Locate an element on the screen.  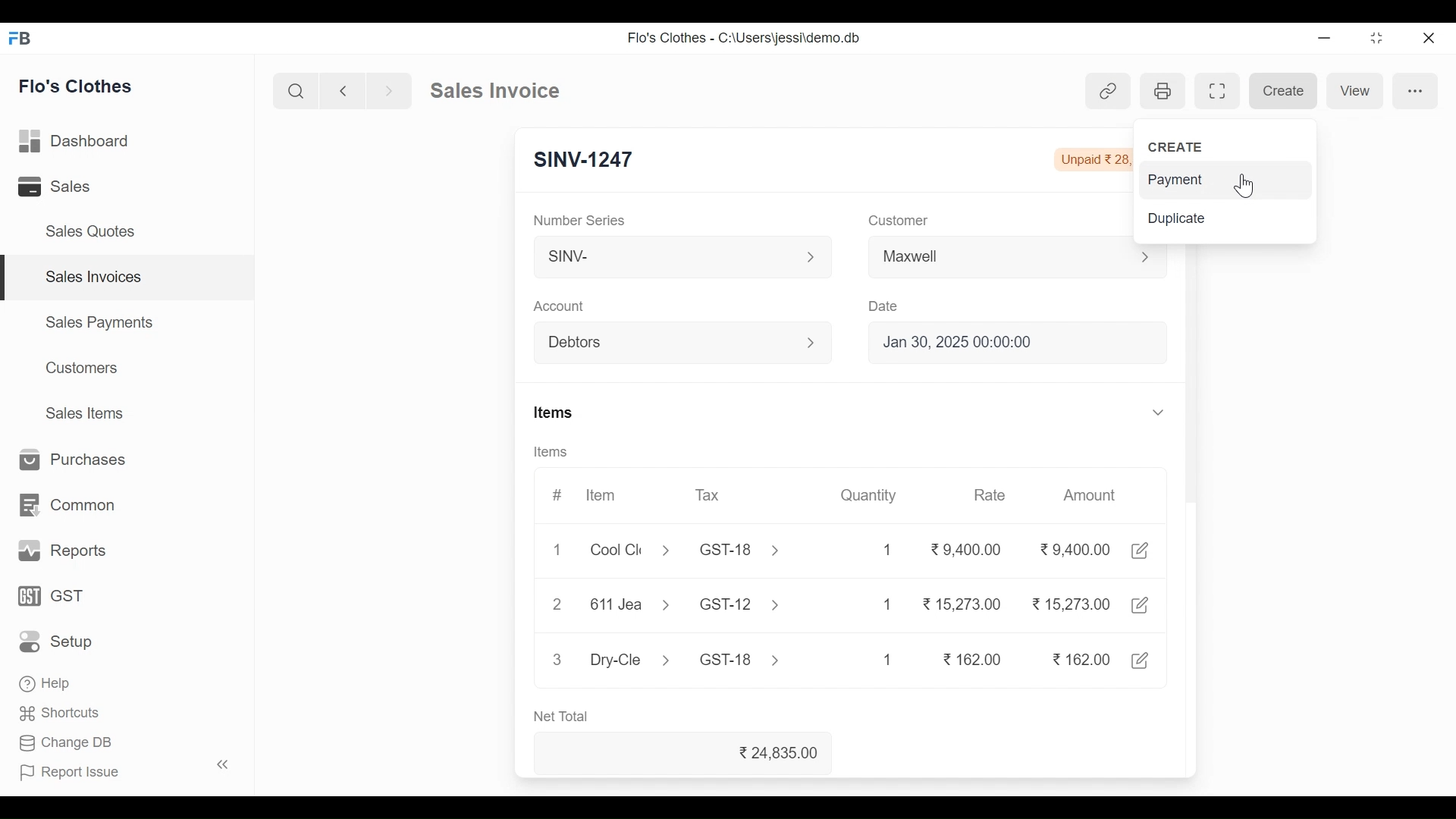
Sales Invoice is located at coordinates (494, 91).